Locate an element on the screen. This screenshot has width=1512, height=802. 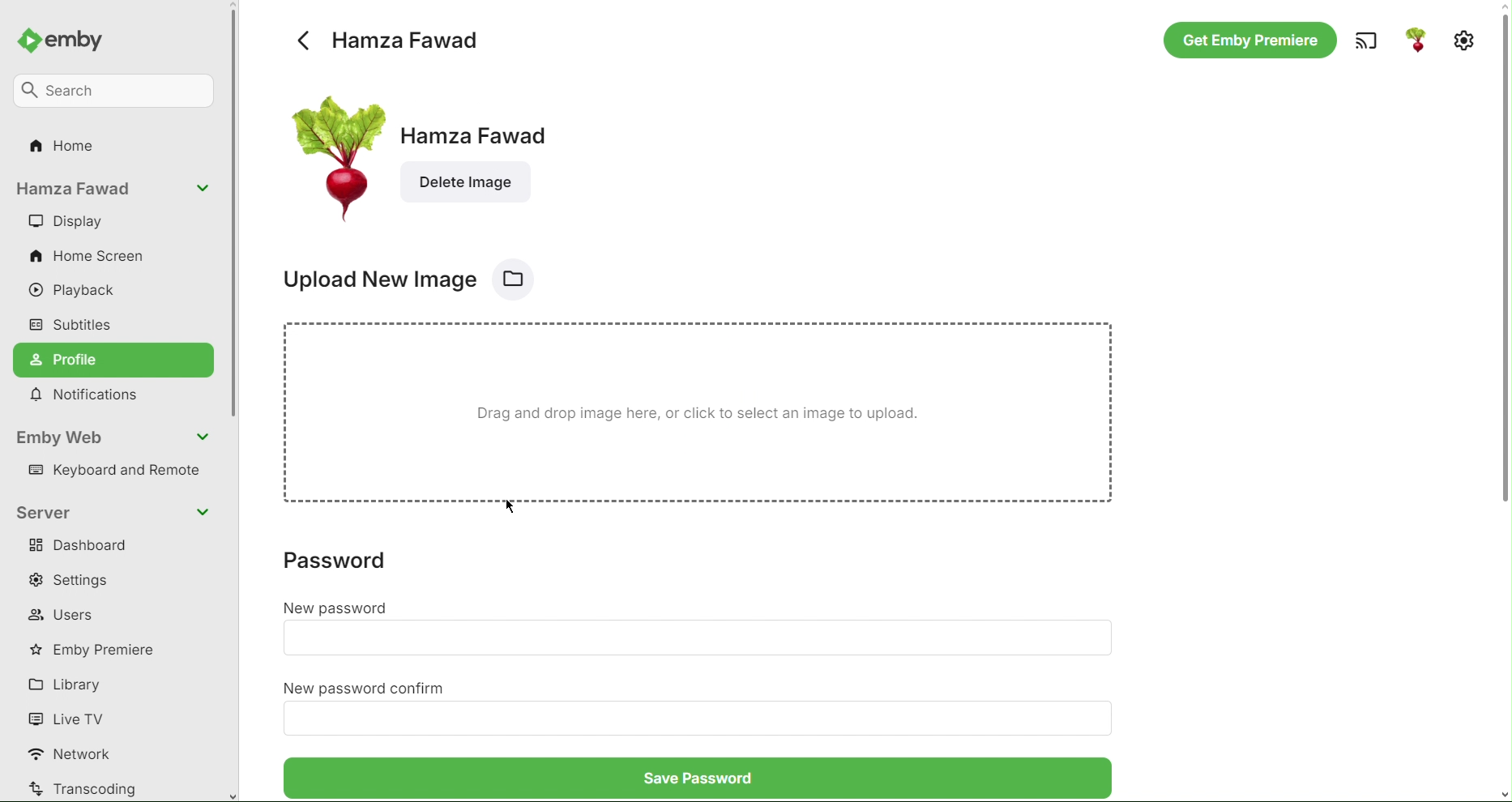
Settings is located at coordinates (78, 580).